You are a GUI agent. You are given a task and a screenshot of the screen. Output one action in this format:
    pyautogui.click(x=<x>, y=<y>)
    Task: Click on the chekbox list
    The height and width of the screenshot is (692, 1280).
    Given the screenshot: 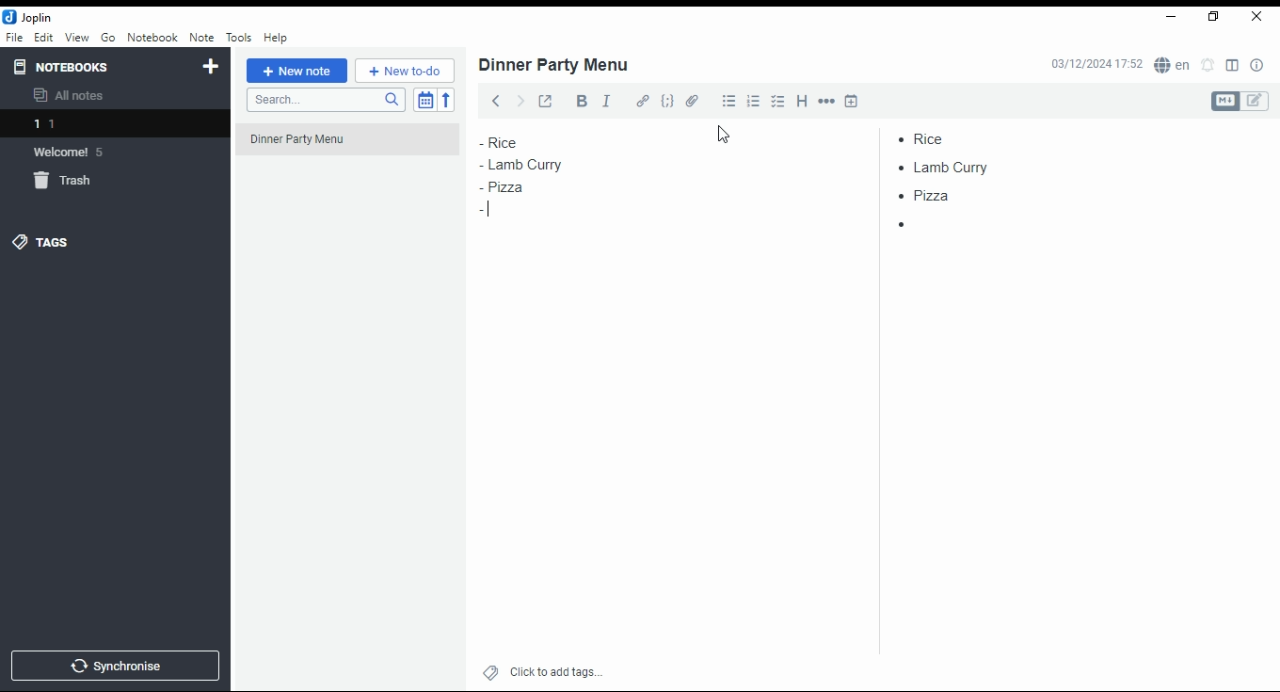 What is the action you would take?
    pyautogui.click(x=779, y=102)
    